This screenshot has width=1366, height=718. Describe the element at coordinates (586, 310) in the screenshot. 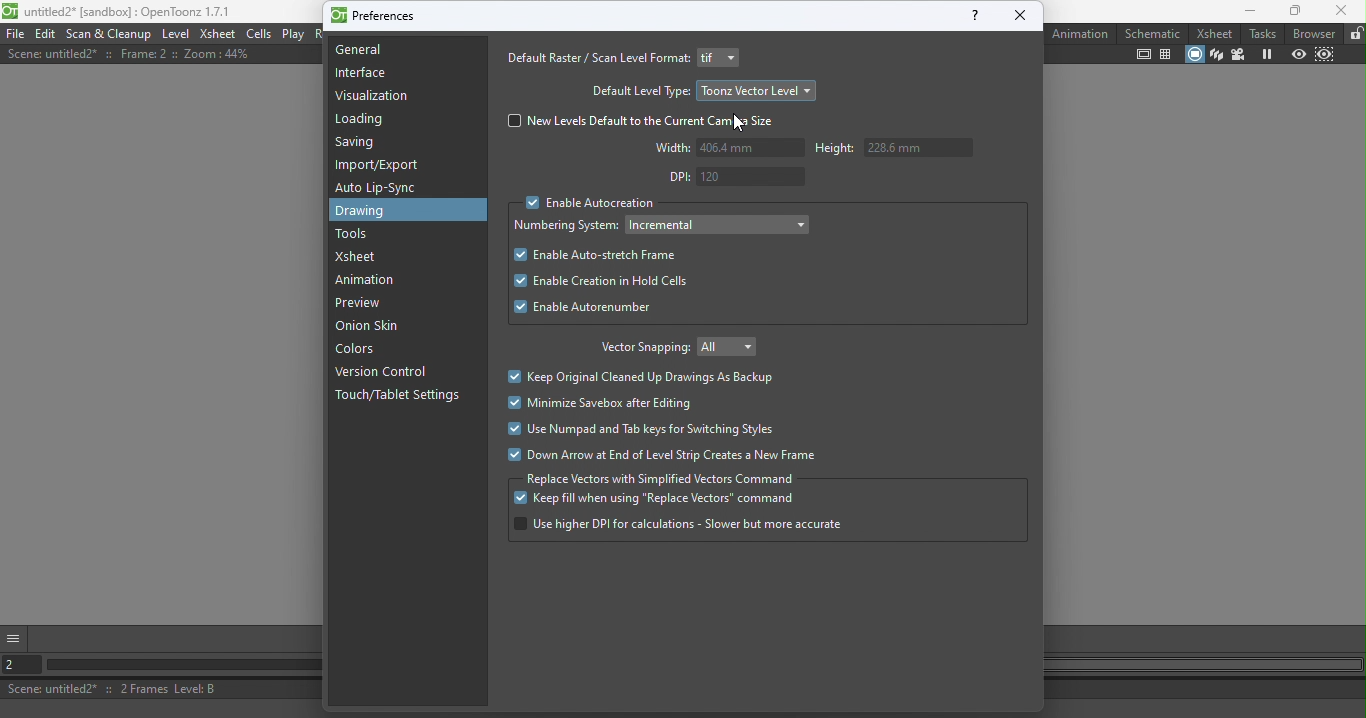

I see `Enable autorenumber` at that location.